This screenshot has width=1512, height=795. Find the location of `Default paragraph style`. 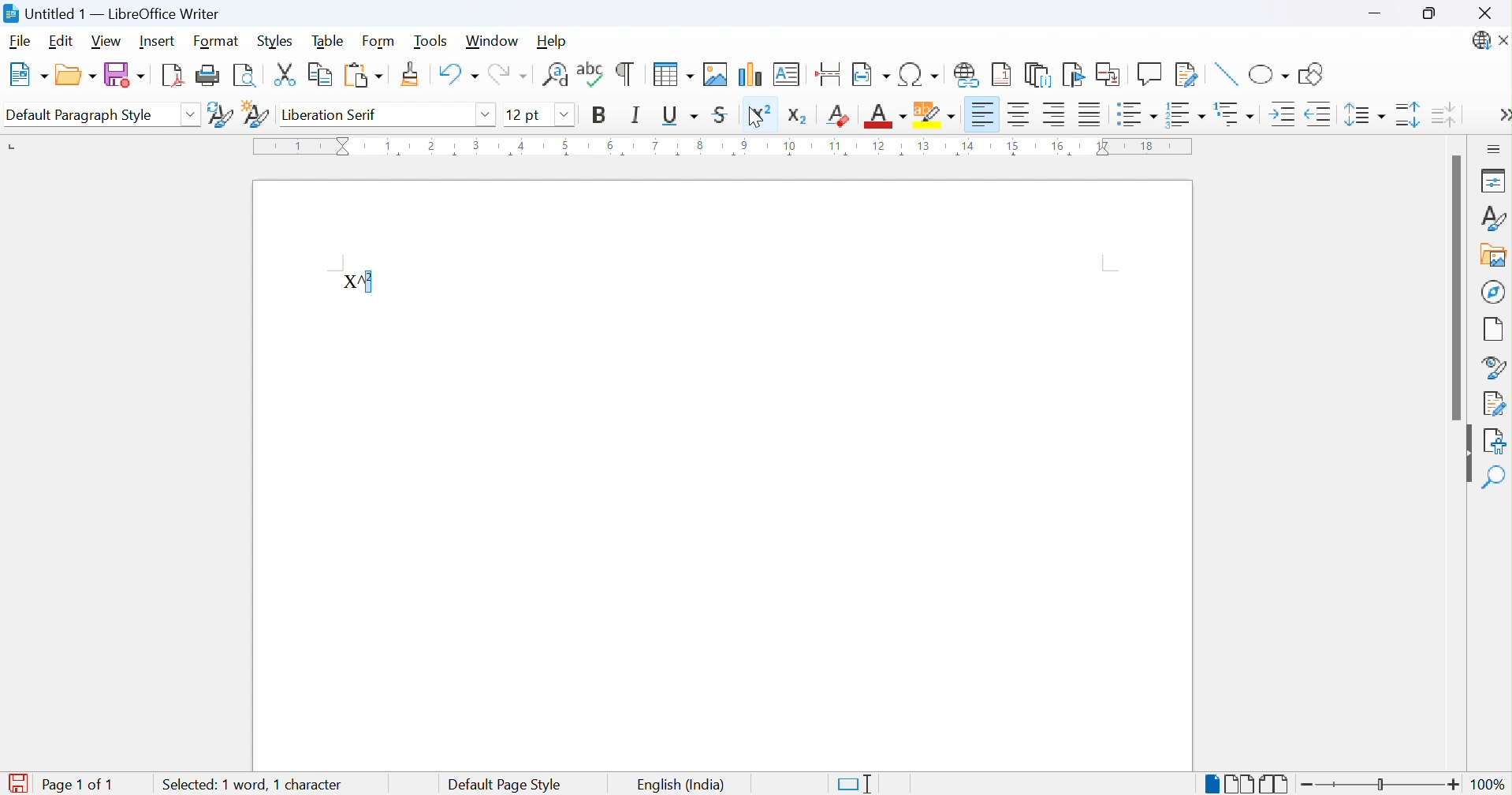

Default paragraph style is located at coordinates (81, 116).